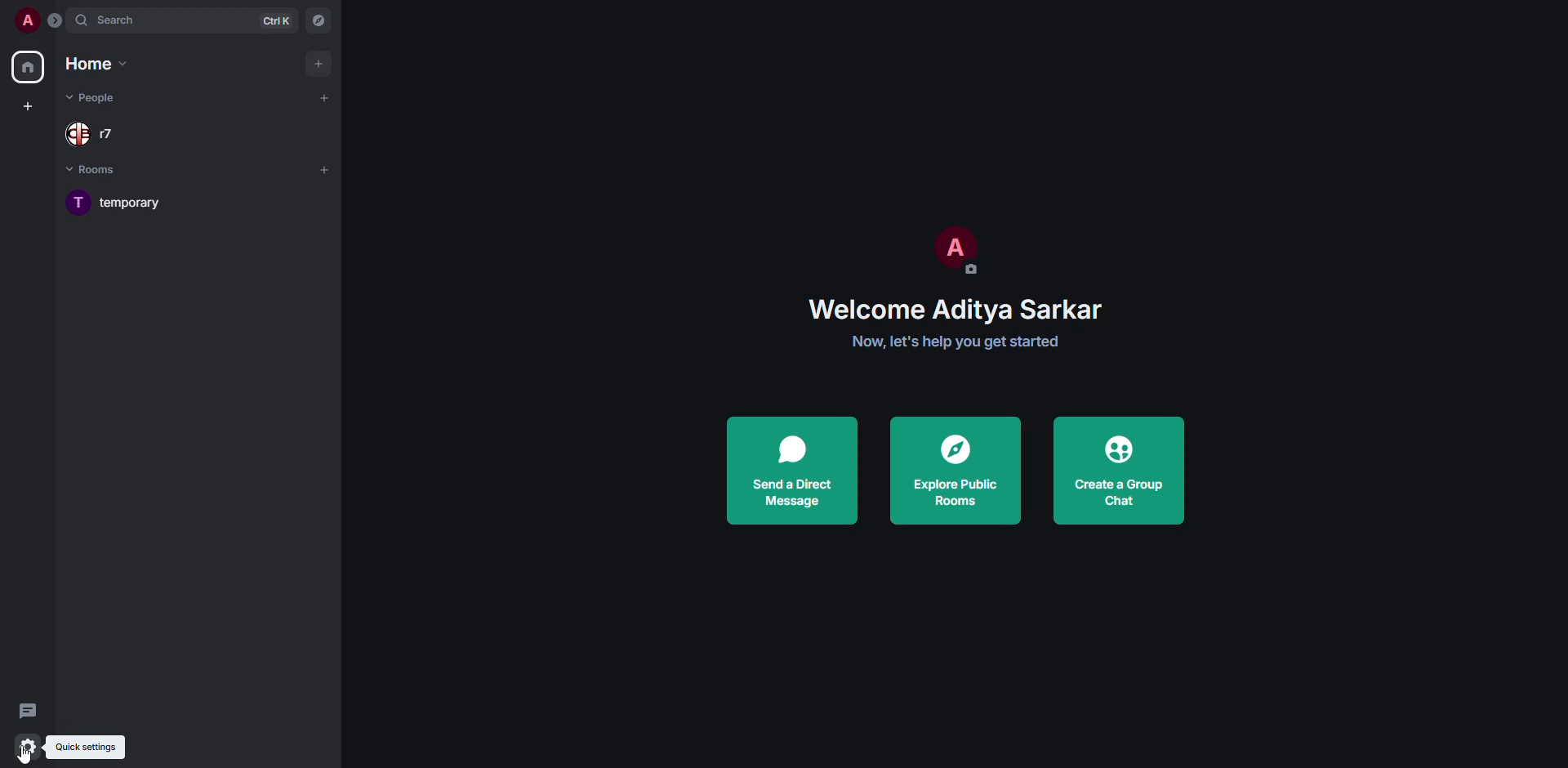 The height and width of the screenshot is (768, 1568). Describe the element at coordinates (100, 98) in the screenshot. I see `people` at that location.